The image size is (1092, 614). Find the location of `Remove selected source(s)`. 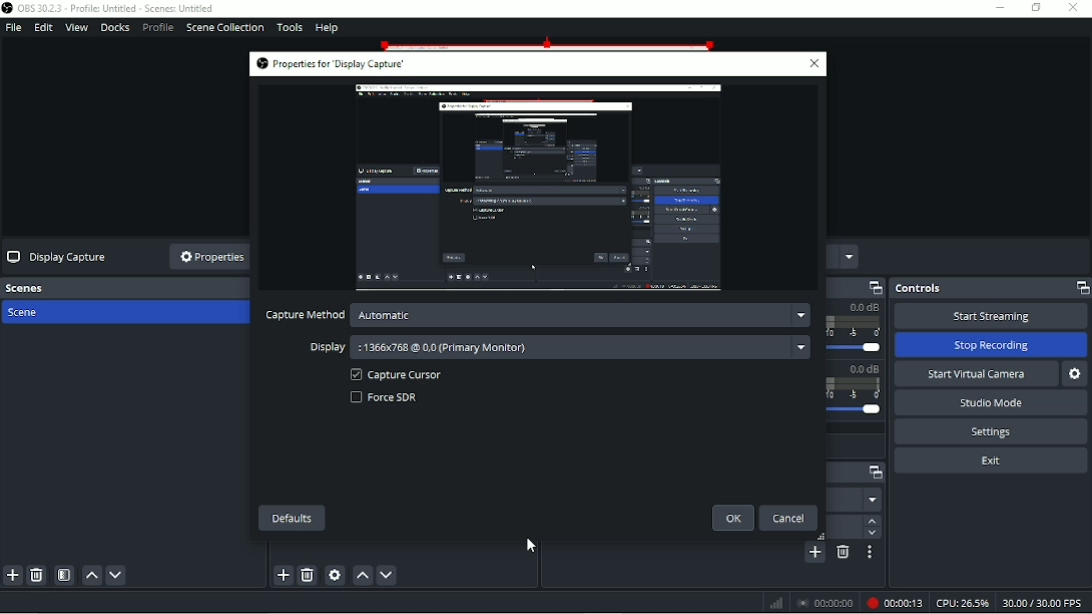

Remove selected source(s) is located at coordinates (308, 575).